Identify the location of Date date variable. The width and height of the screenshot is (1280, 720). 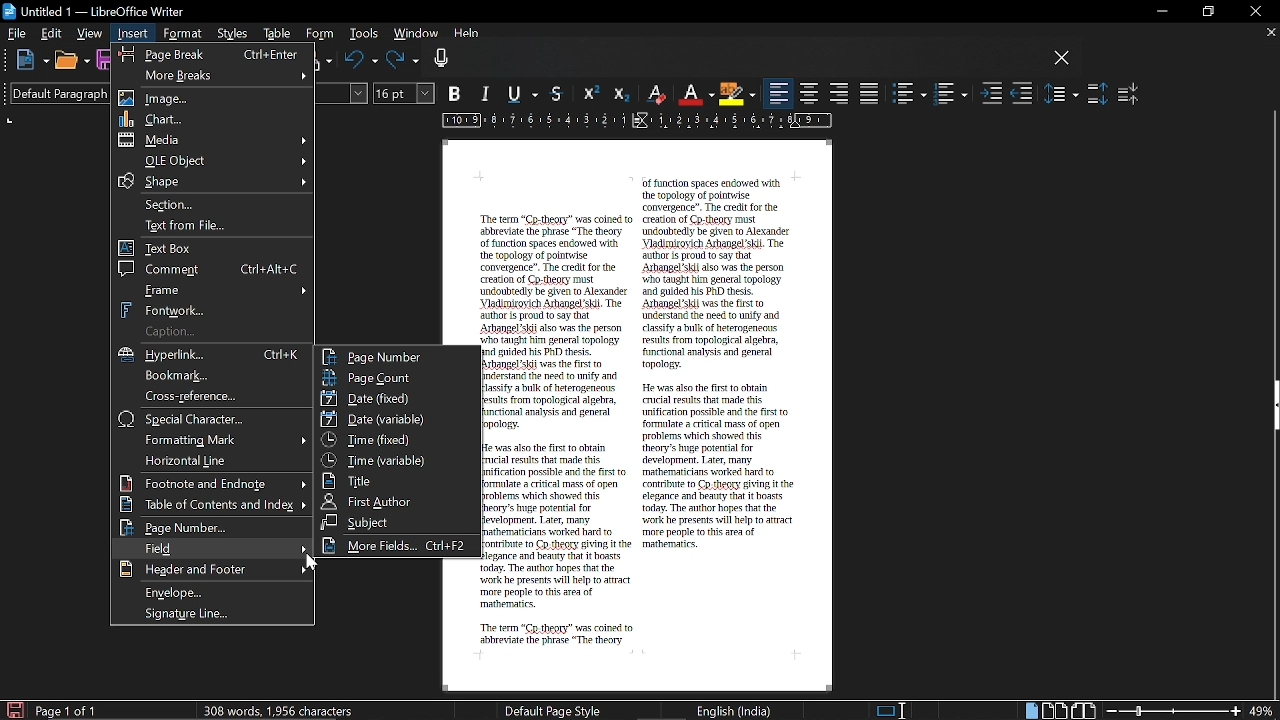
(397, 420).